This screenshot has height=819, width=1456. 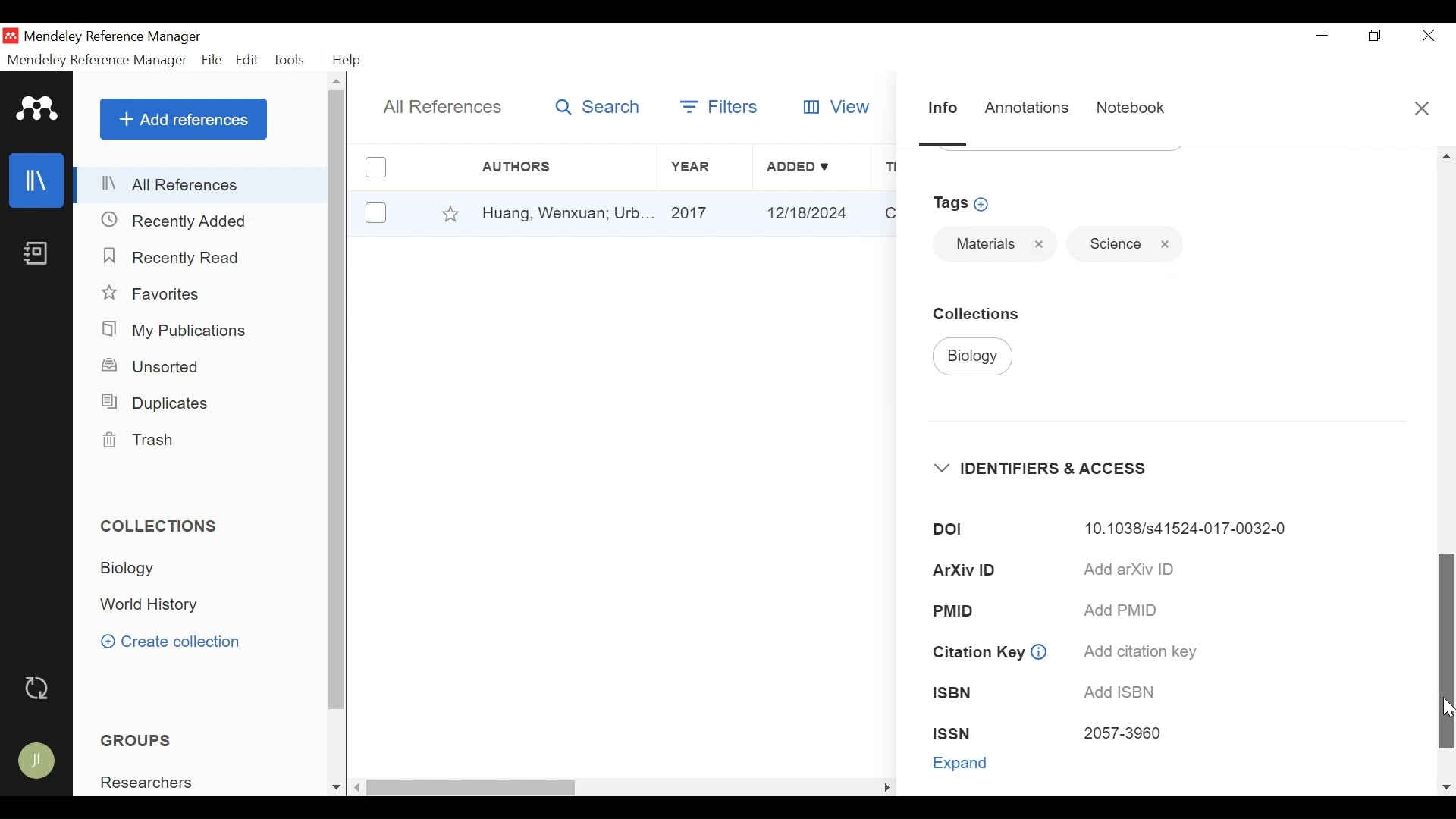 What do you see at coordinates (1130, 569) in the screenshot?
I see `Add arXiv ID` at bounding box center [1130, 569].